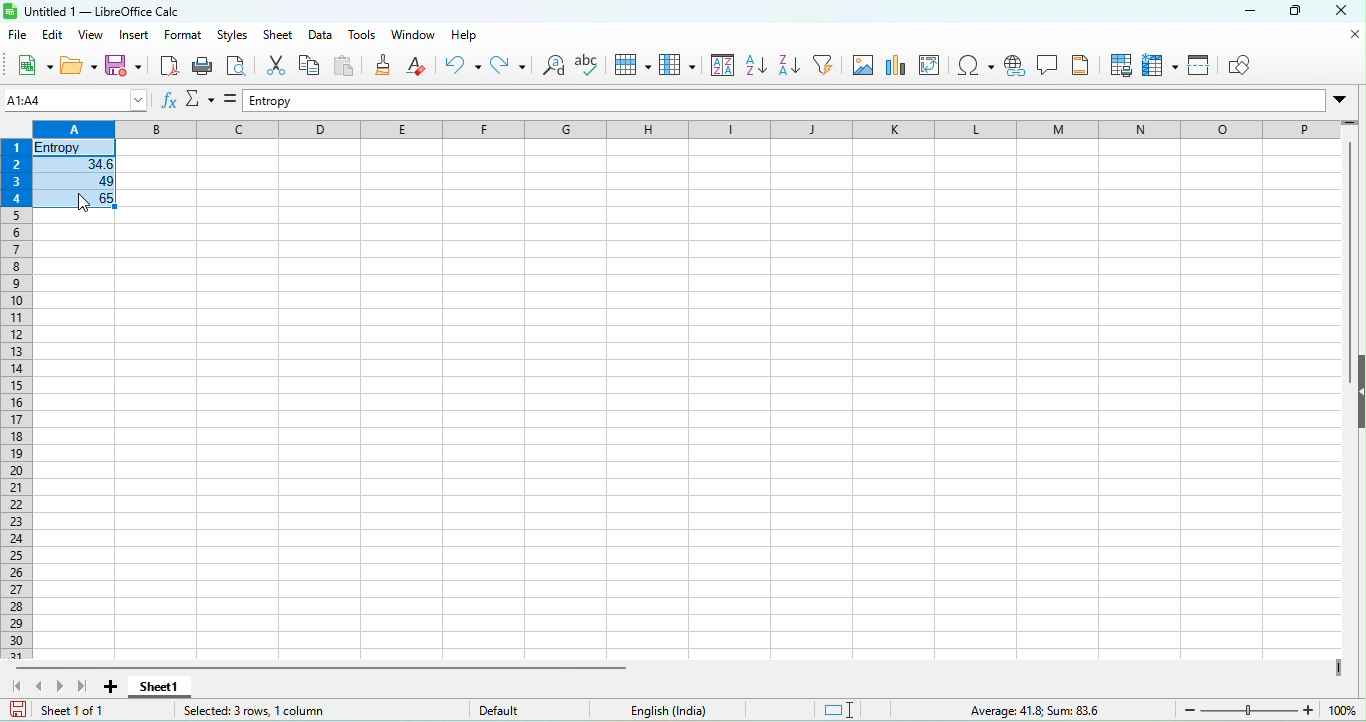 The width and height of the screenshot is (1366, 722). I want to click on scroll to first sheet, so click(15, 683).